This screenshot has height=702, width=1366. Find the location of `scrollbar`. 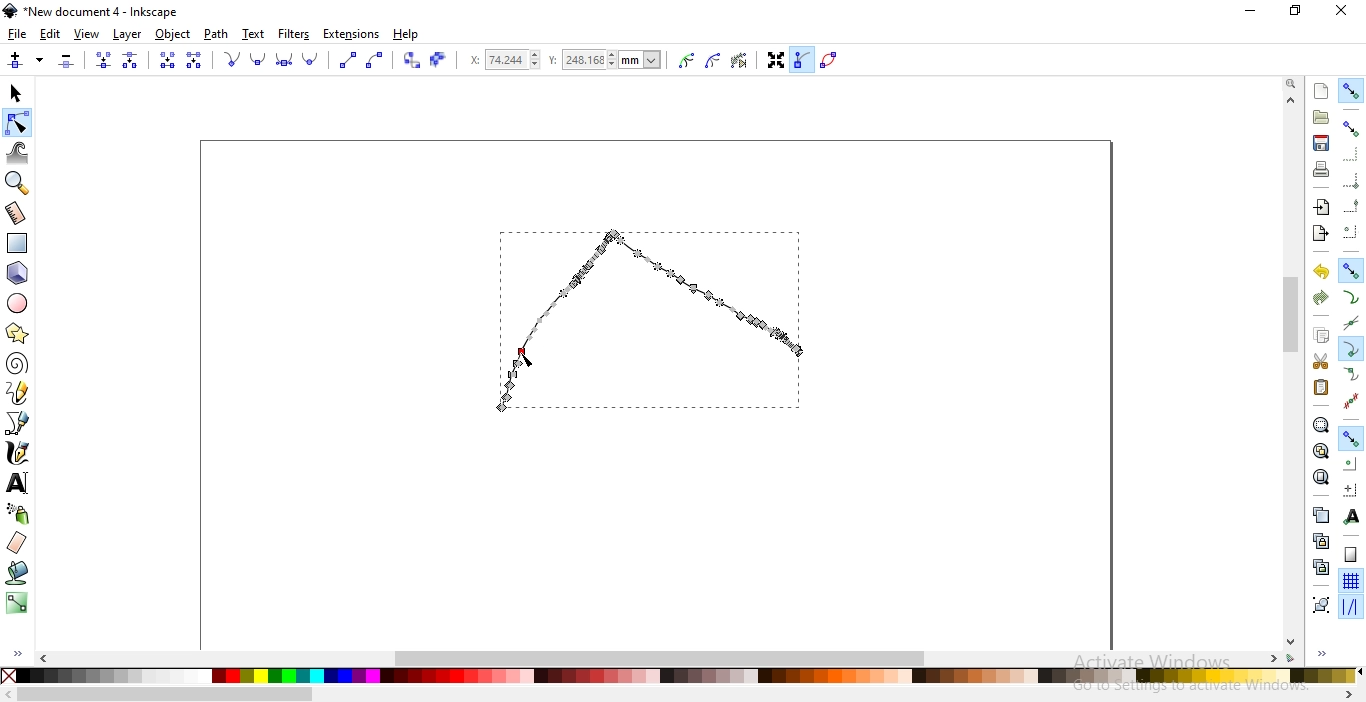

scrollbar is located at coordinates (166, 696).